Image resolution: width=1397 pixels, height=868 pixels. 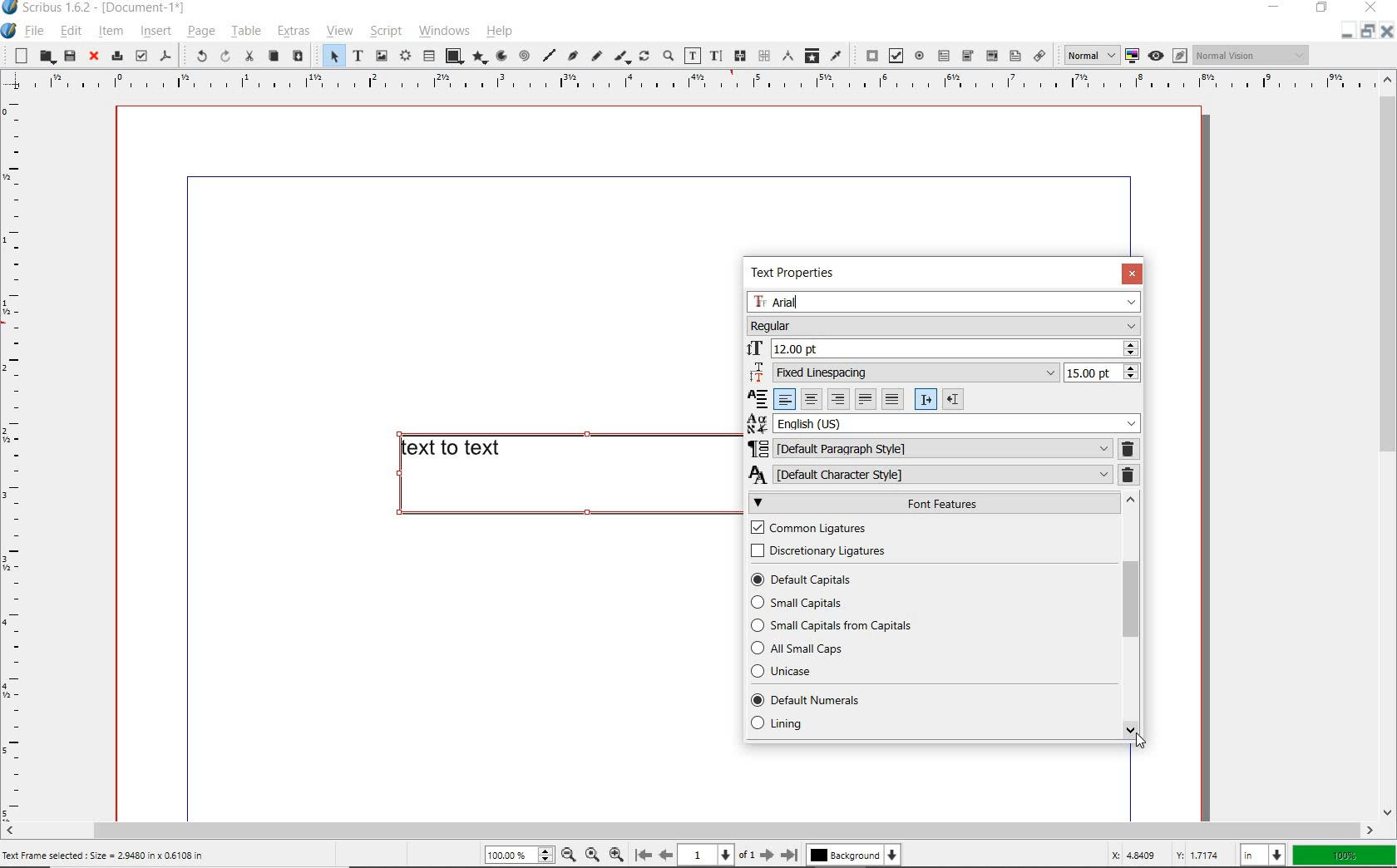 What do you see at coordinates (383, 32) in the screenshot?
I see `script` at bounding box center [383, 32].